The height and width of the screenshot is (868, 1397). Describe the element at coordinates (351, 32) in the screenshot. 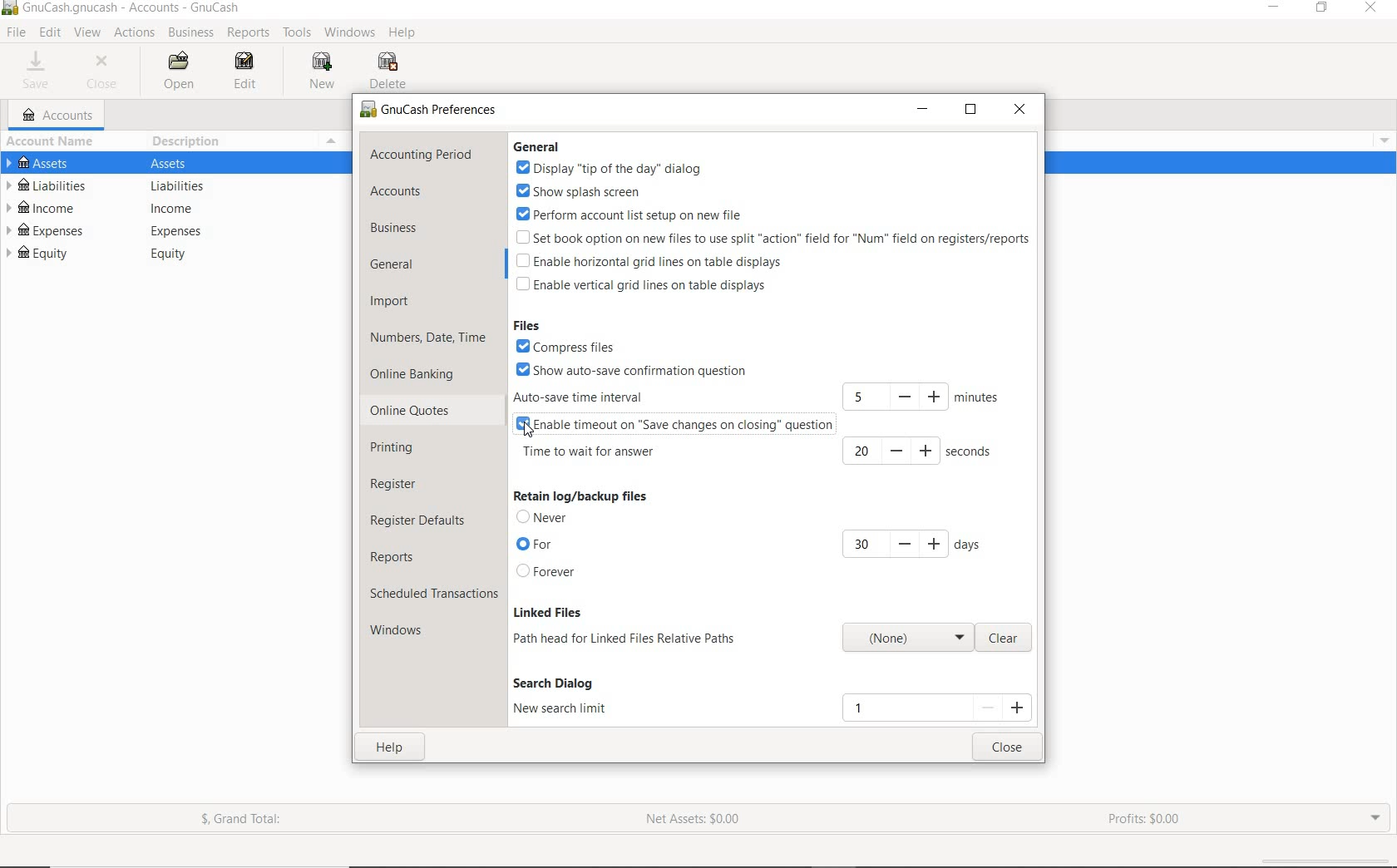

I see `WINDOWS` at that location.